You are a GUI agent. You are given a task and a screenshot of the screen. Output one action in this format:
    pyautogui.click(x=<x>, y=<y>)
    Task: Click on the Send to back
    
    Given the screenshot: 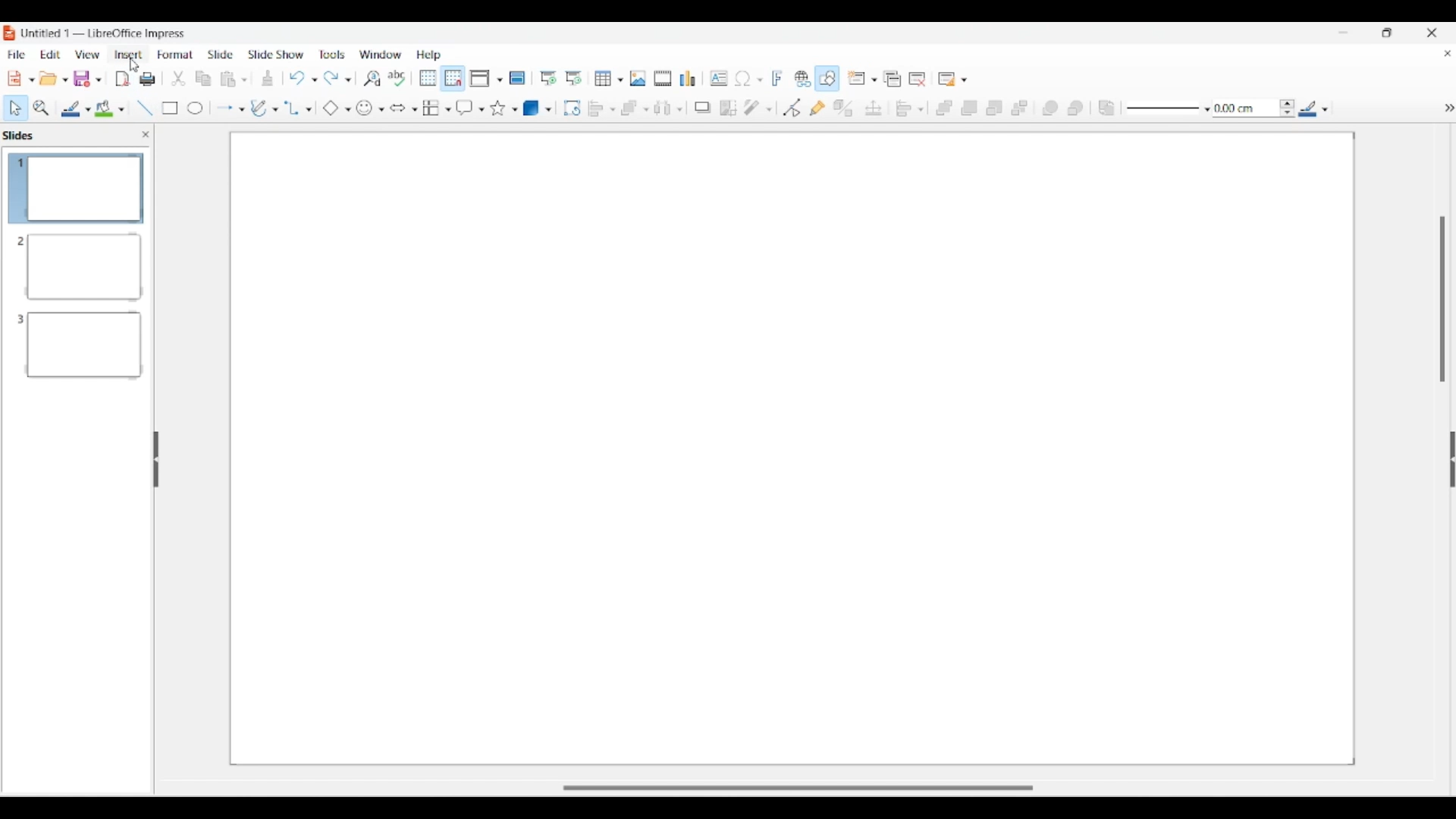 What is the action you would take?
    pyautogui.click(x=1019, y=108)
    